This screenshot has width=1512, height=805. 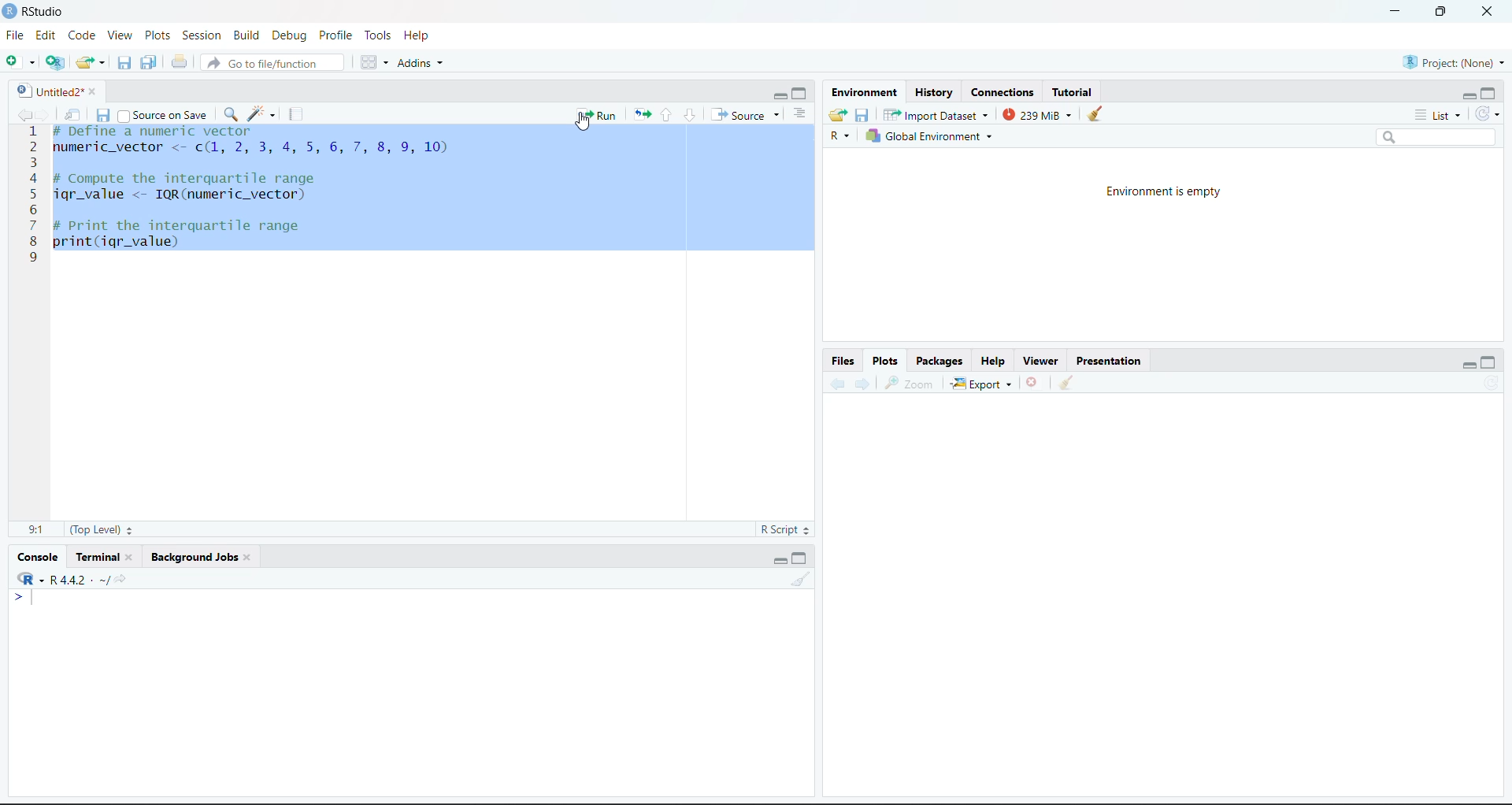 What do you see at coordinates (1484, 13) in the screenshot?
I see `Close` at bounding box center [1484, 13].